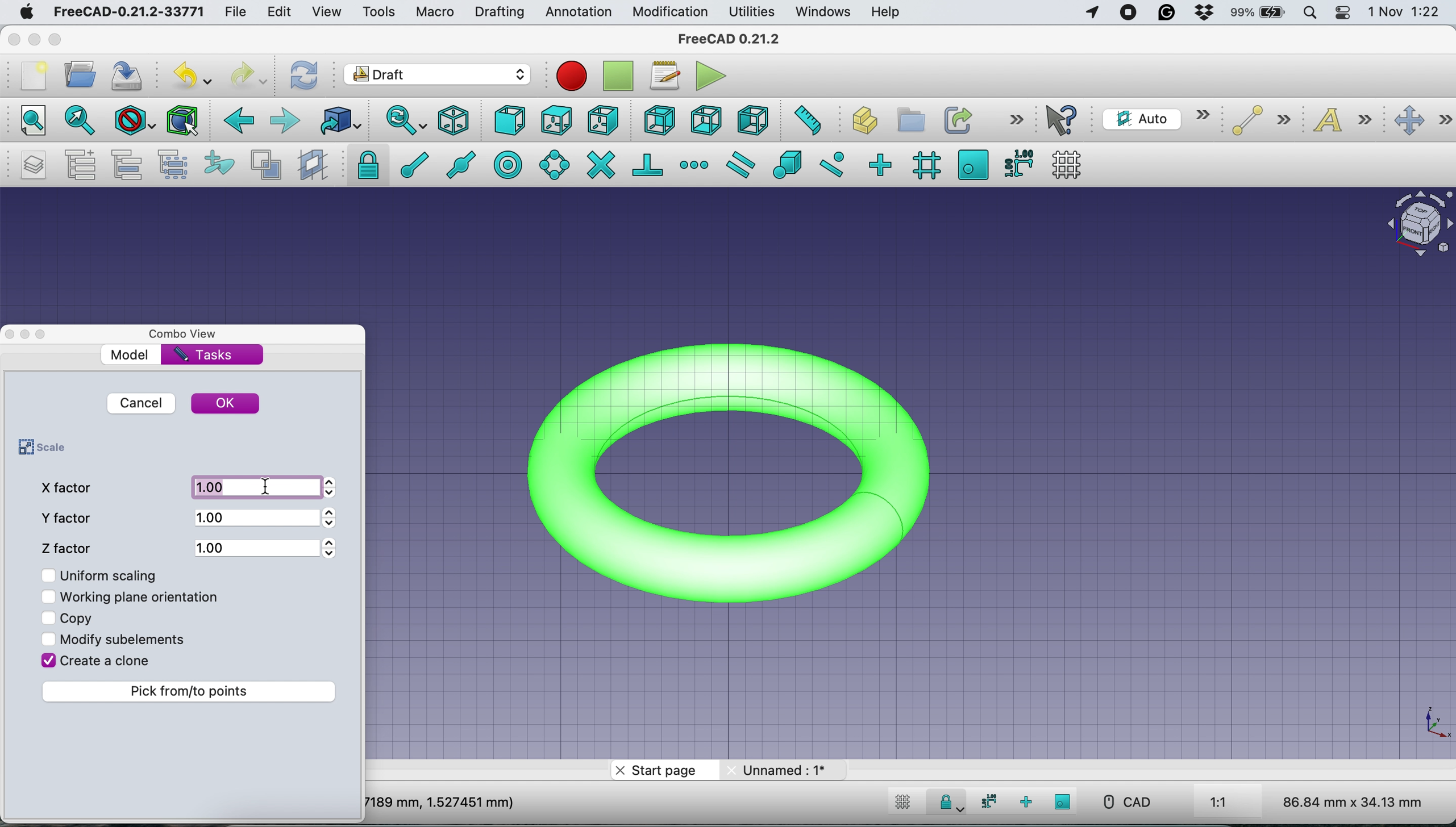 The image size is (1456, 827). Describe the element at coordinates (281, 12) in the screenshot. I see `edit` at that location.